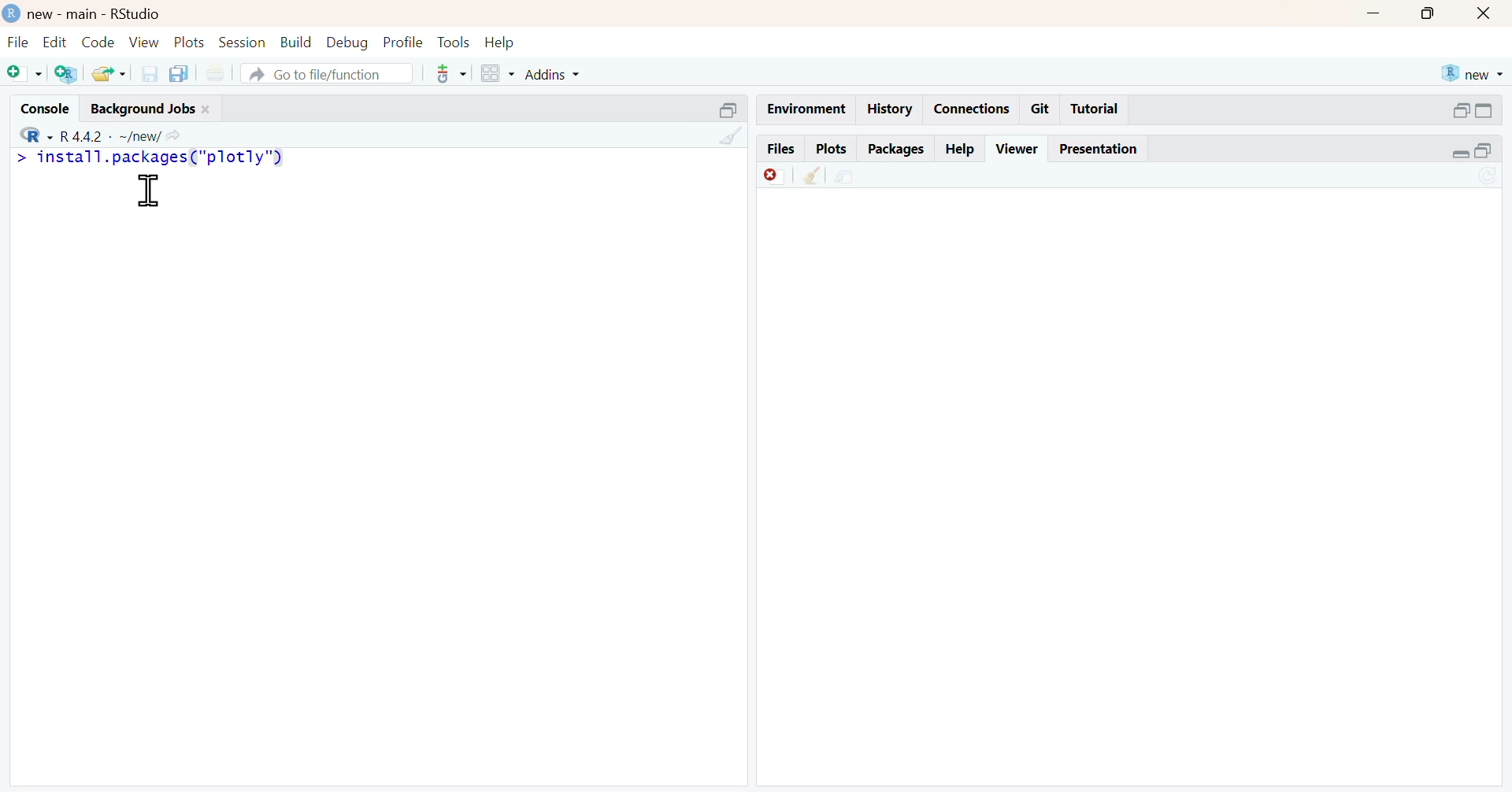 This screenshot has width=1512, height=792. What do you see at coordinates (328, 75) in the screenshot?
I see `go to file/function` at bounding box center [328, 75].